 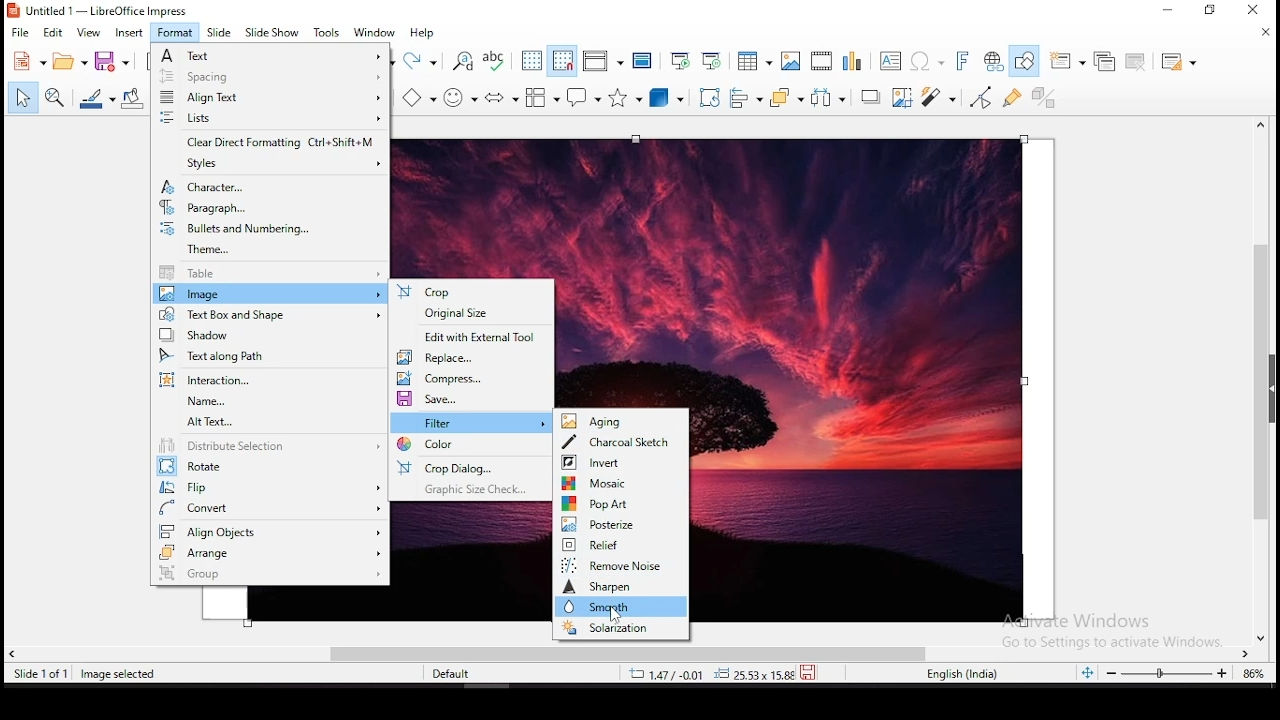 I want to click on symbol shapes, so click(x=463, y=96).